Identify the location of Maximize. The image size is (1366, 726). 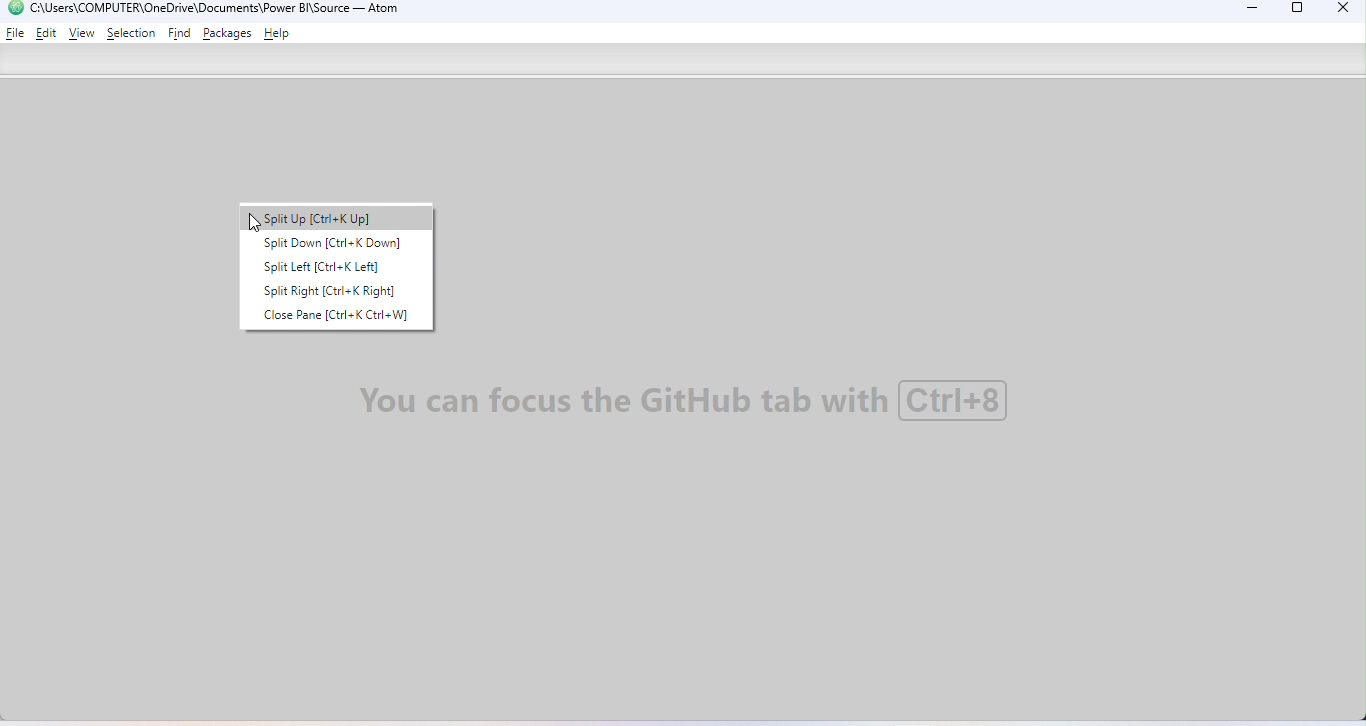
(1298, 11).